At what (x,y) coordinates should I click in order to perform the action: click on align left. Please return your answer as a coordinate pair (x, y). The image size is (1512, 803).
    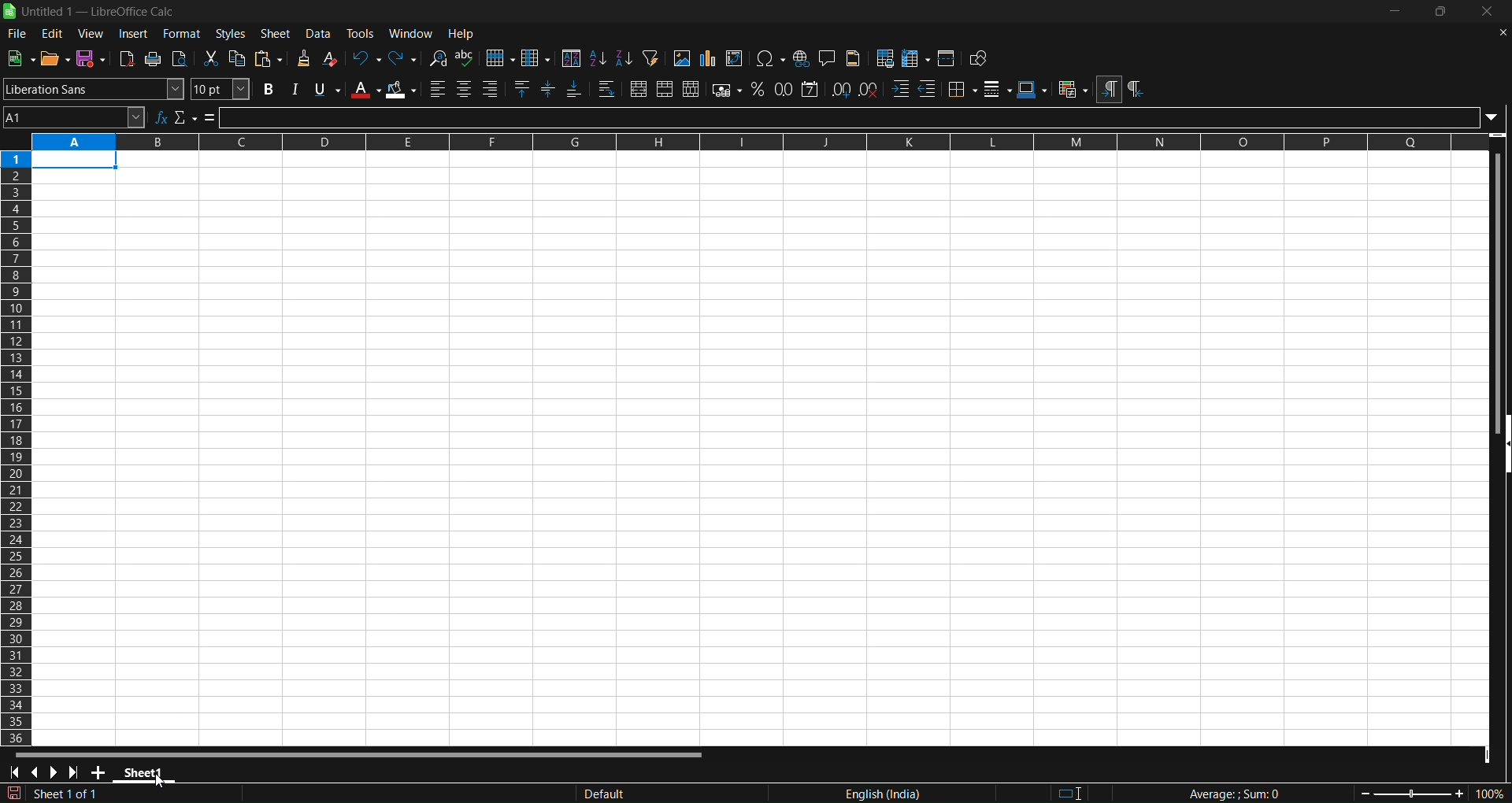
    Looking at the image, I should click on (438, 89).